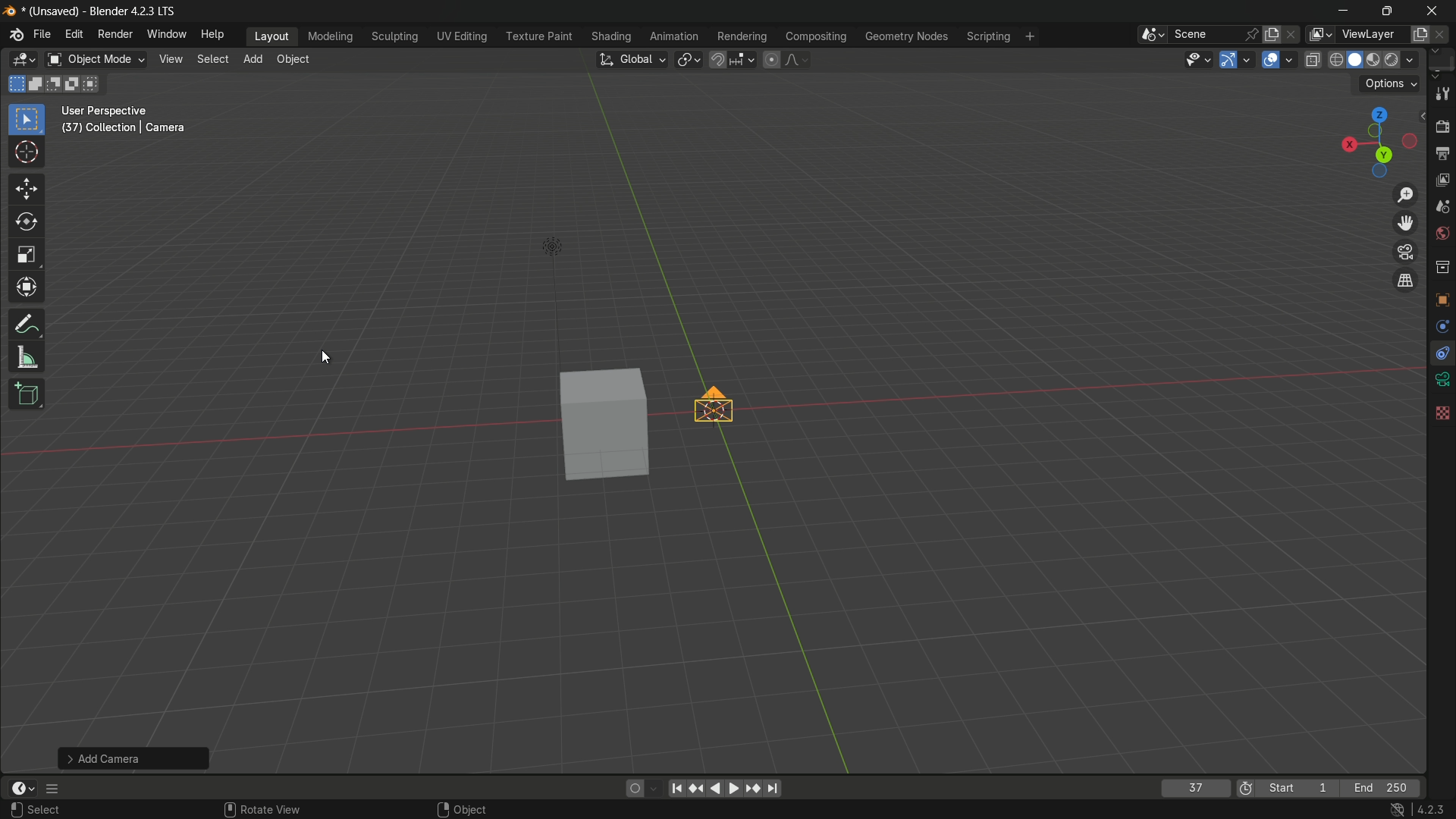 The height and width of the screenshot is (819, 1456). What do you see at coordinates (293, 60) in the screenshot?
I see `object` at bounding box center [293, 60].